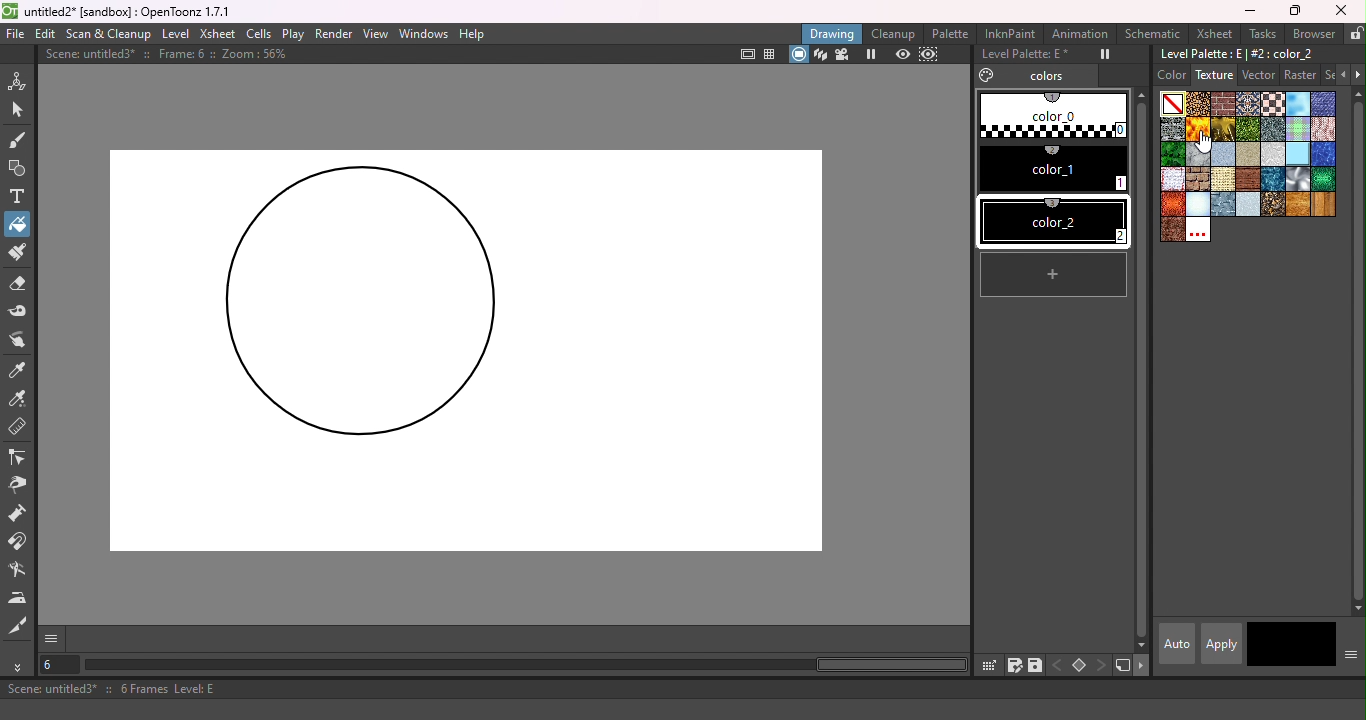 This screenshot has width=1366, height=720. What do you see at coordinates (1102, 666) in the screenshot?
I see `next key` at bounding box center [1102, 666].